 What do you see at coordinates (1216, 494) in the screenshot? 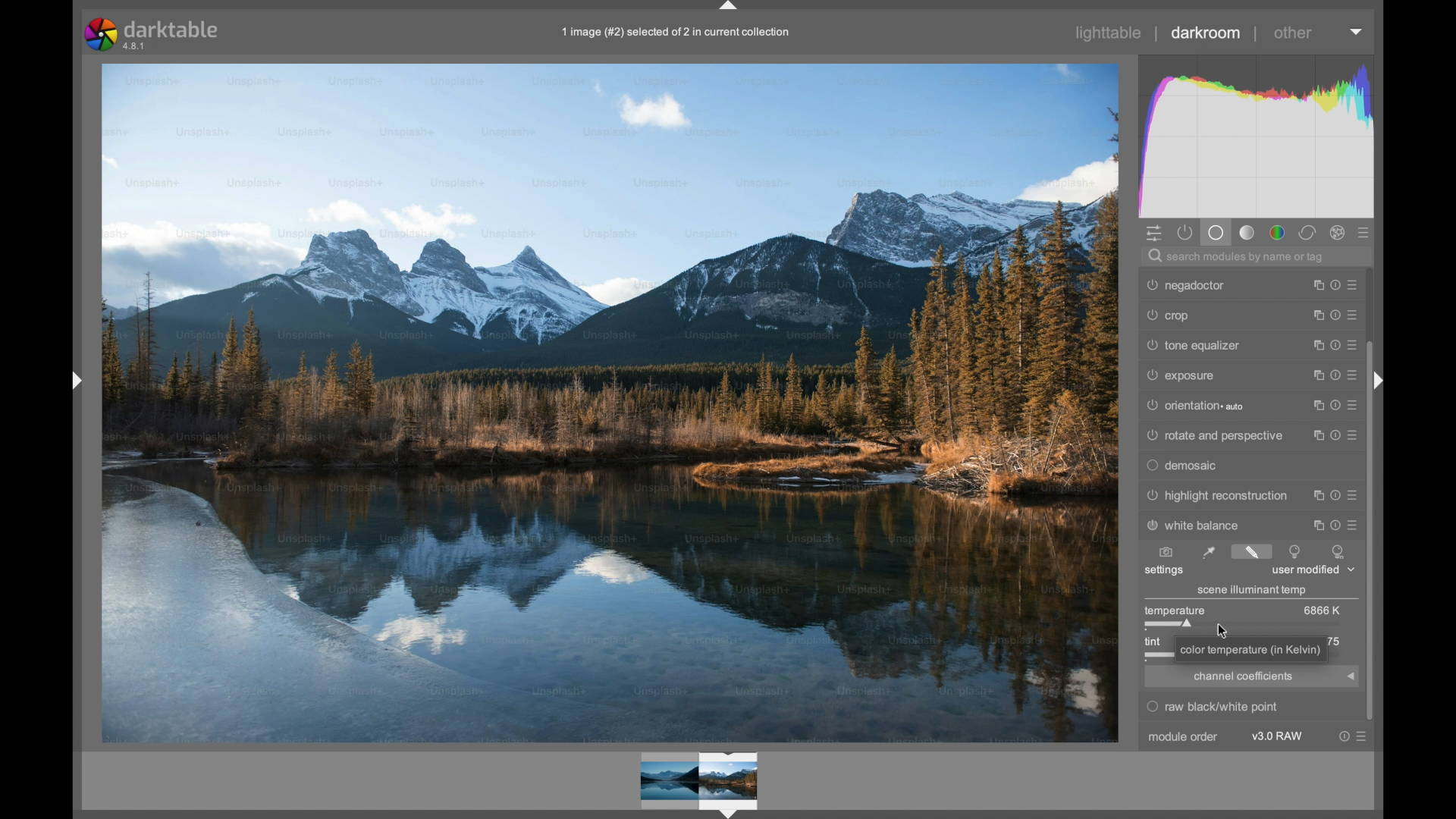
I see `highlight reconstruction` at bounding box center [1216, 494].